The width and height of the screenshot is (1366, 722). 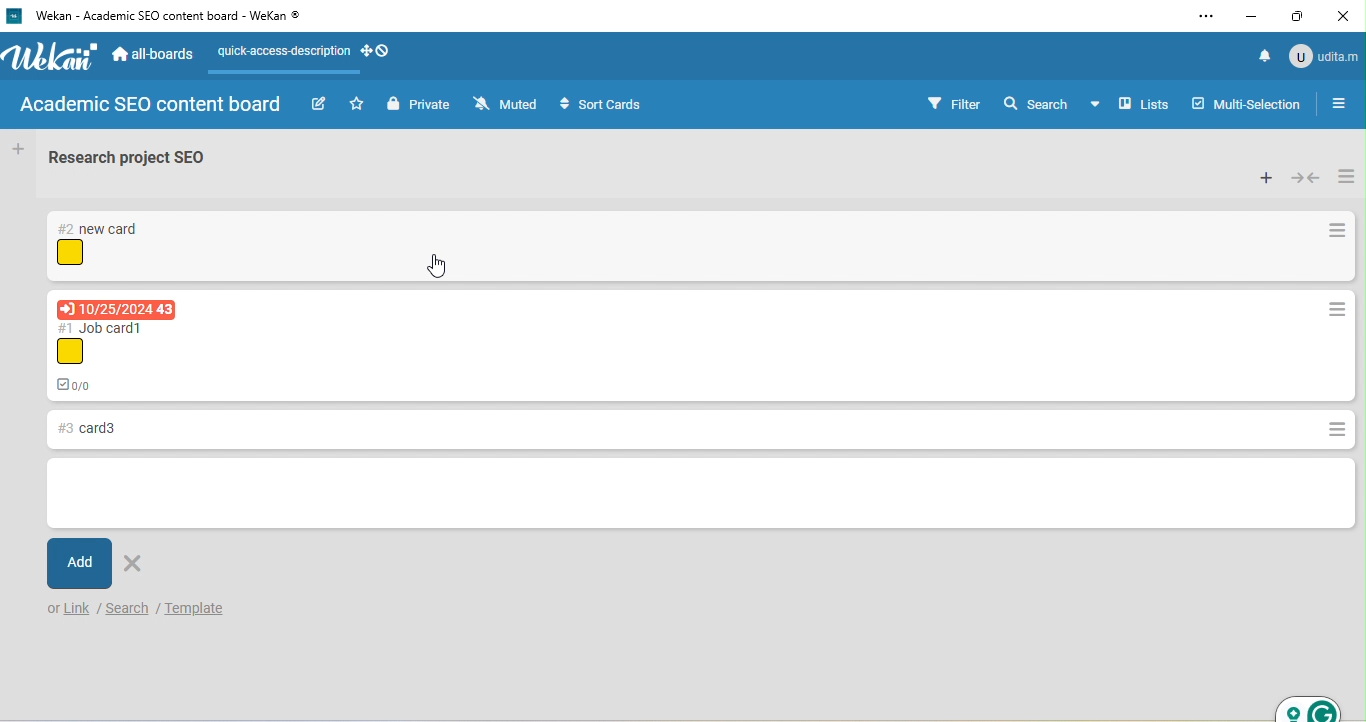 What do you see at coordinates (81, 563) in the screenshot?
I see `add` at bounding box center [81, 563].